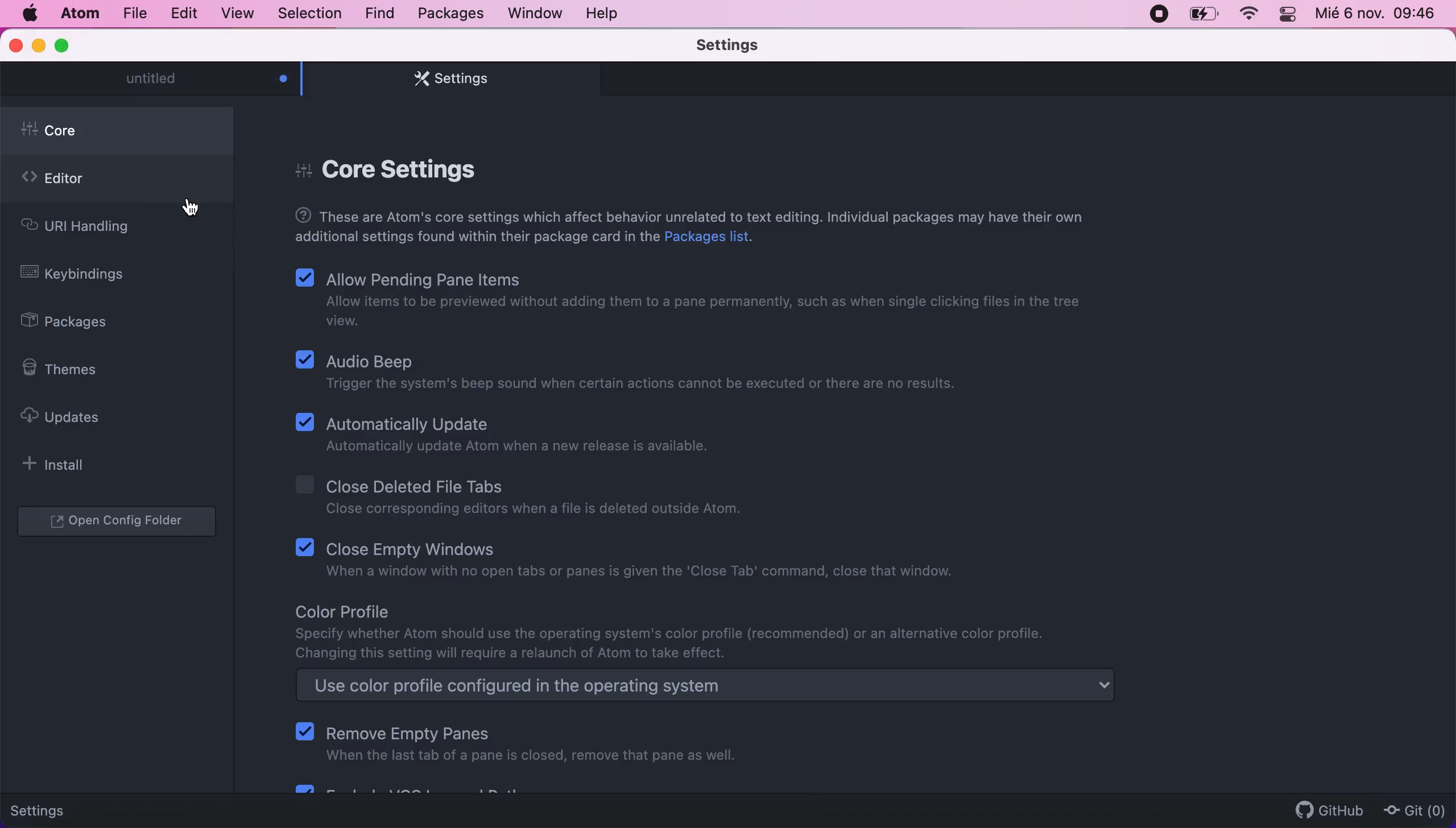 Image resolution: width=1456 pixels, height=828 pixels. What do you see at coordinates (709, 229) in the screenshot?
I see `These are Atom's core settings which affect behavior unrelated to text editing. Individual packages may have their own additional settings found within their package card in the Packages list.` at bounding box center [709, 229].